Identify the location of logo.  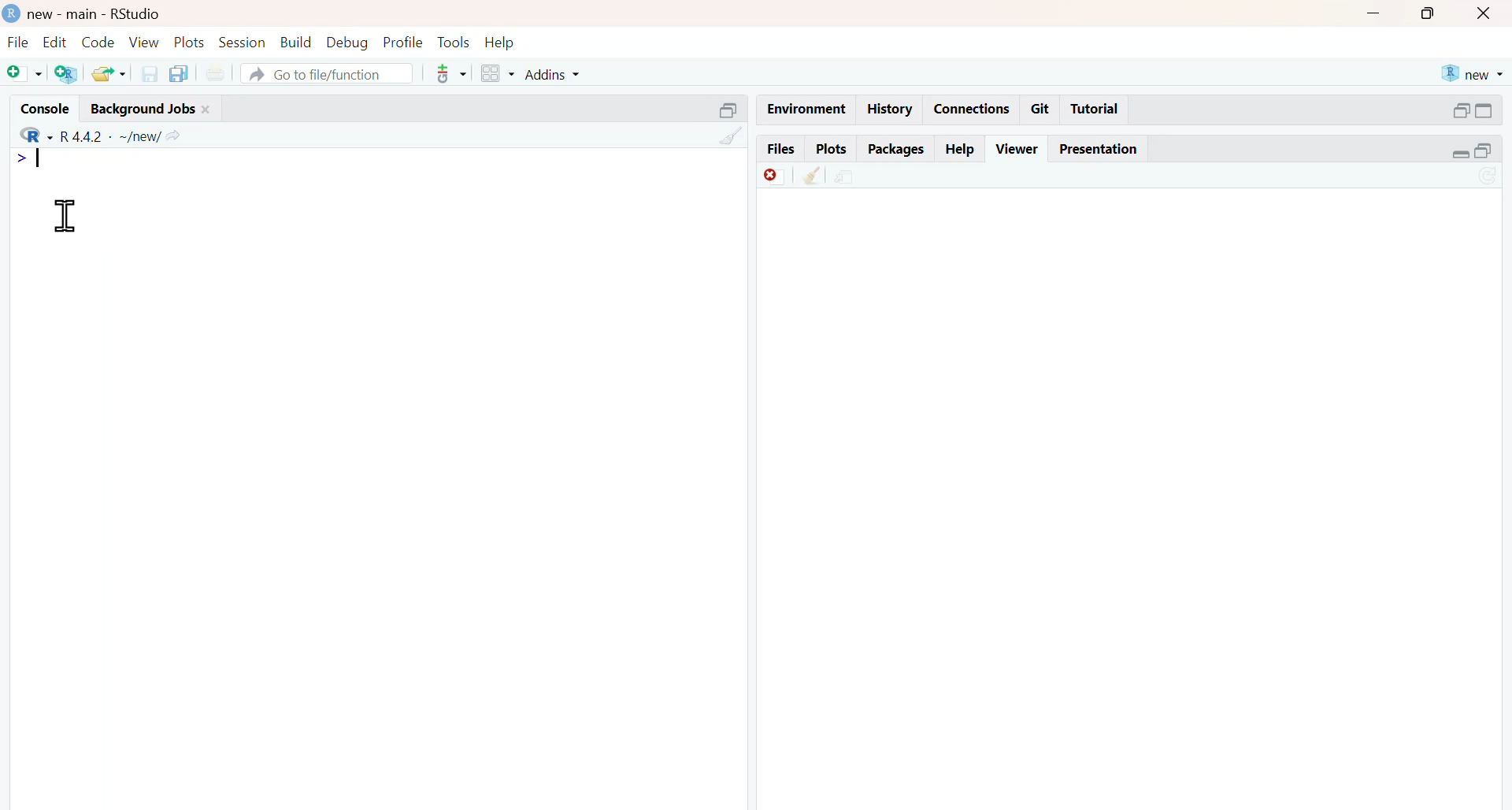
(13, 13).